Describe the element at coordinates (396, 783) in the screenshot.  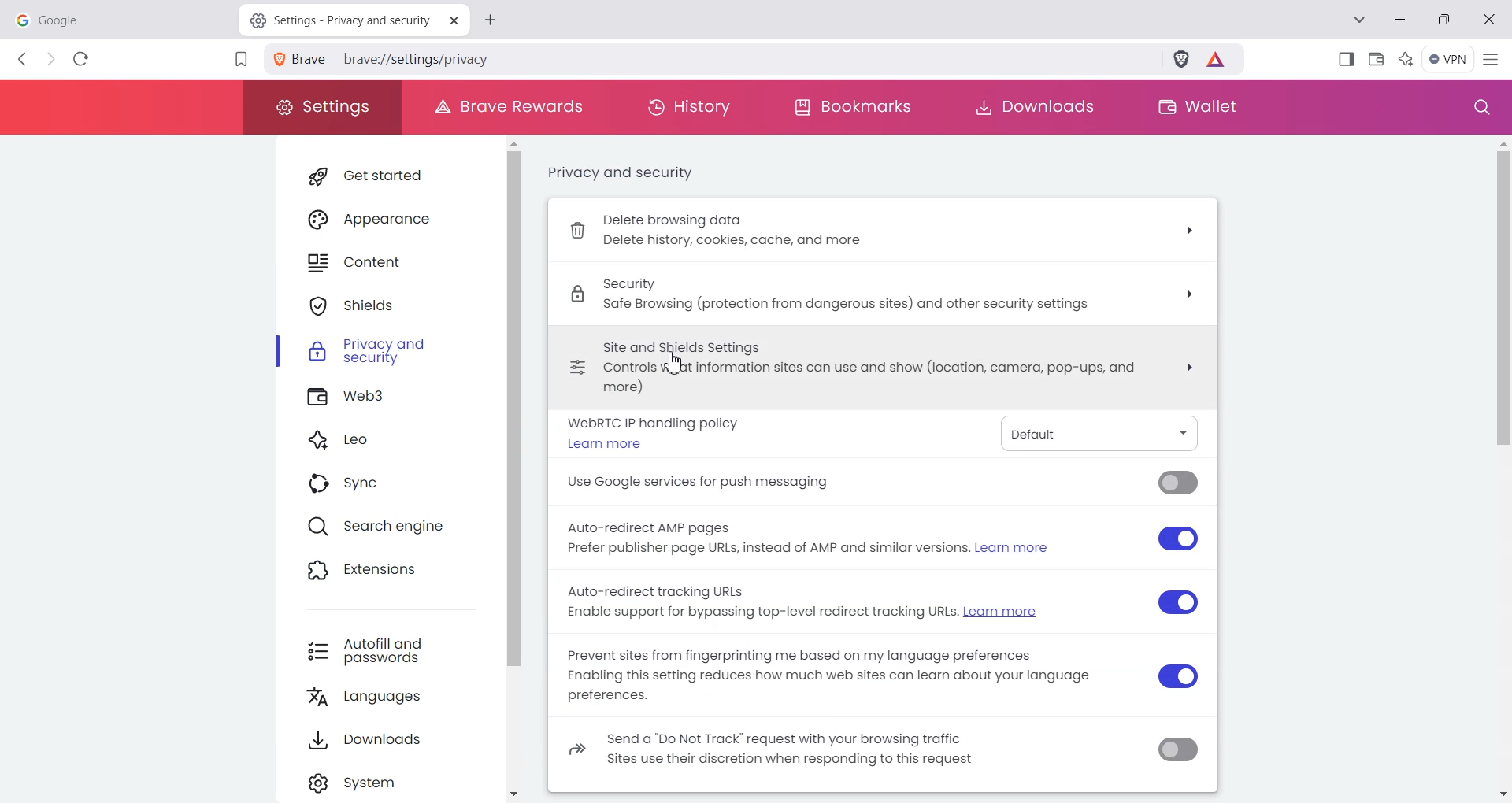
I see `Settings` at that location.